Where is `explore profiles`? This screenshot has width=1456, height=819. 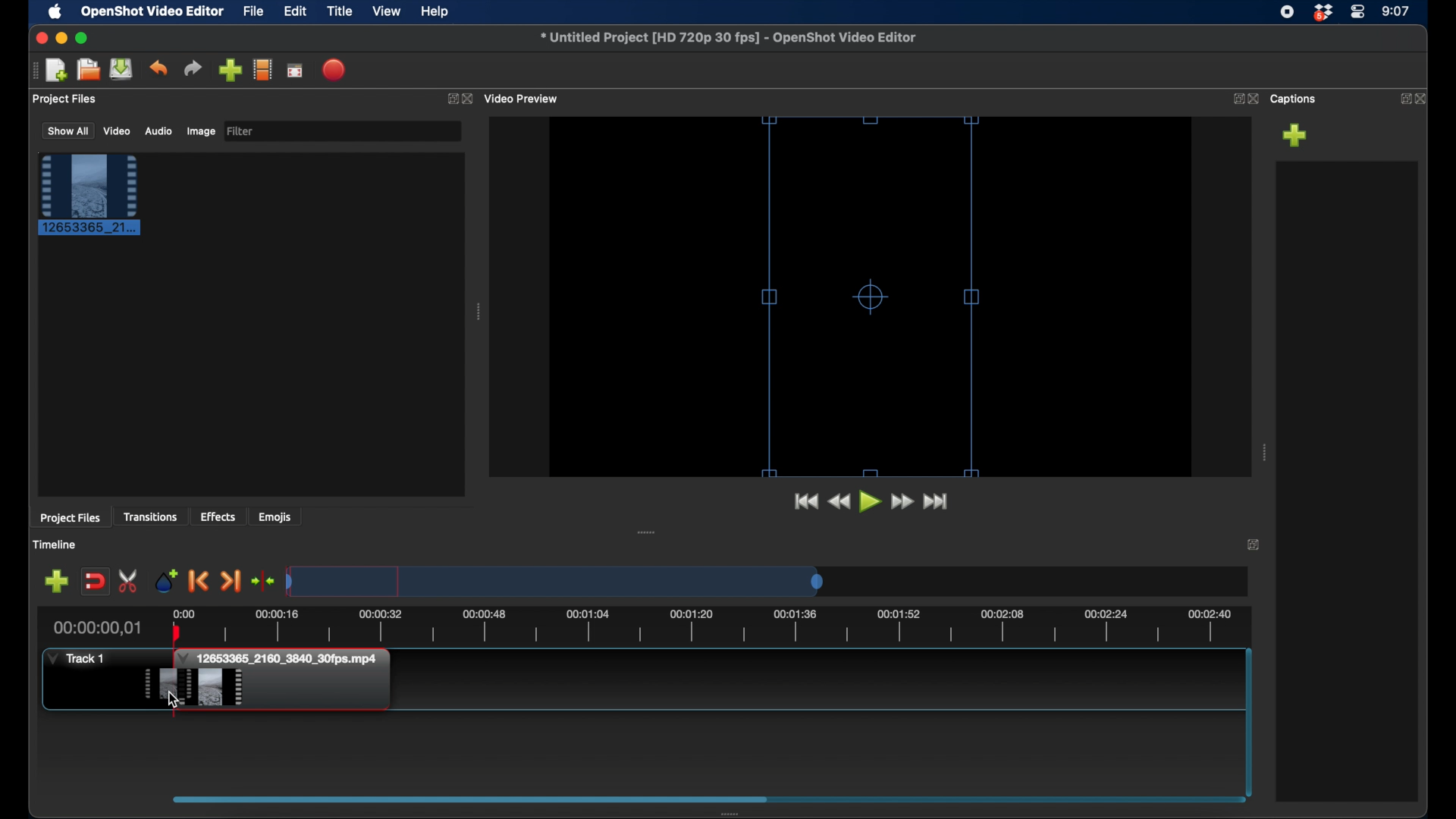 explore profiles is located at coordinates (263, 70).